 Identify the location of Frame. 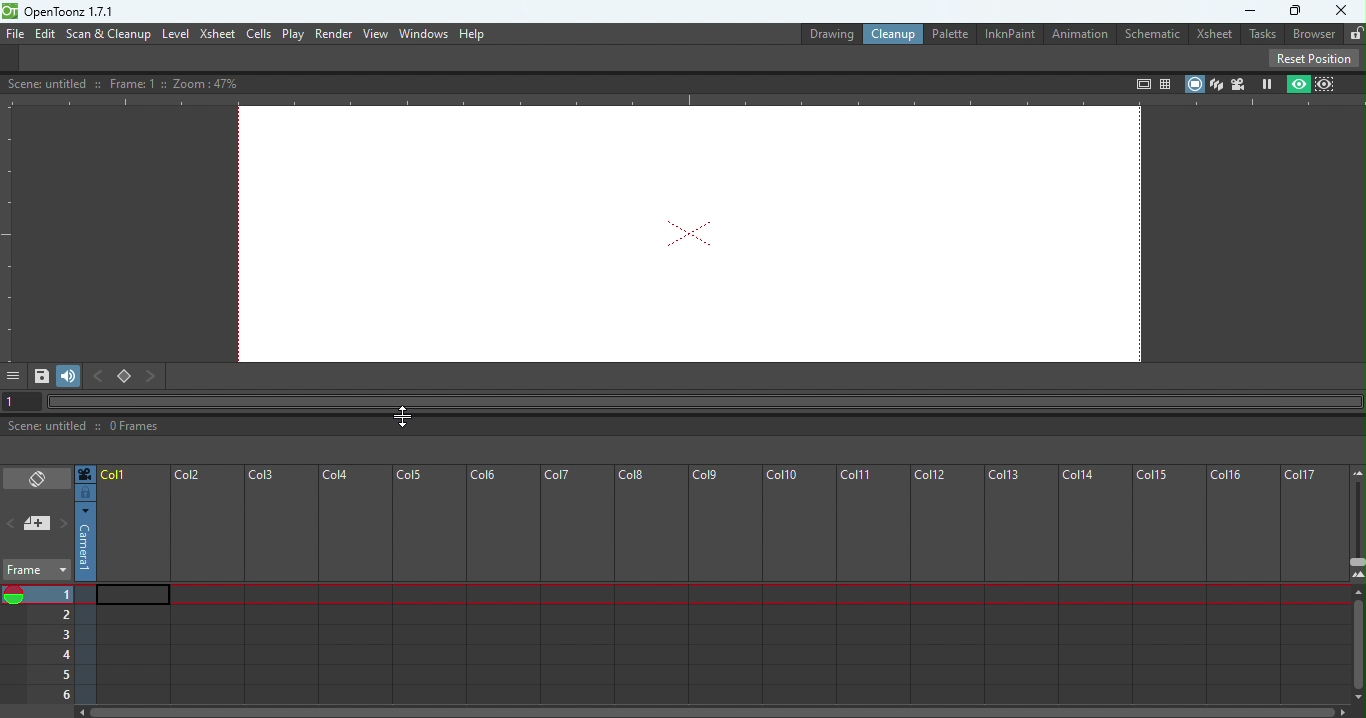
(38, 564).